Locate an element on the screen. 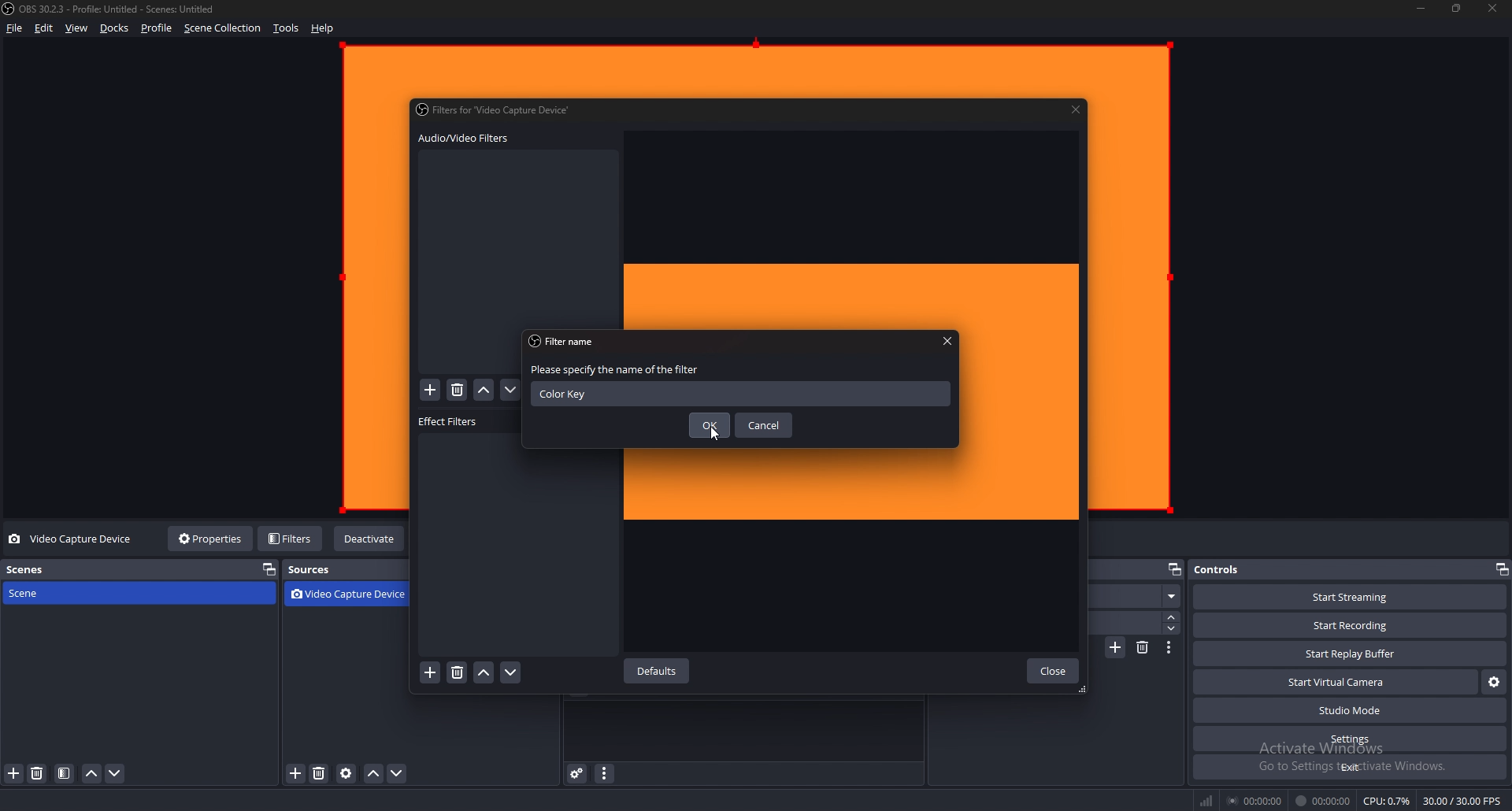  properties is located at coordinates (213, 538).